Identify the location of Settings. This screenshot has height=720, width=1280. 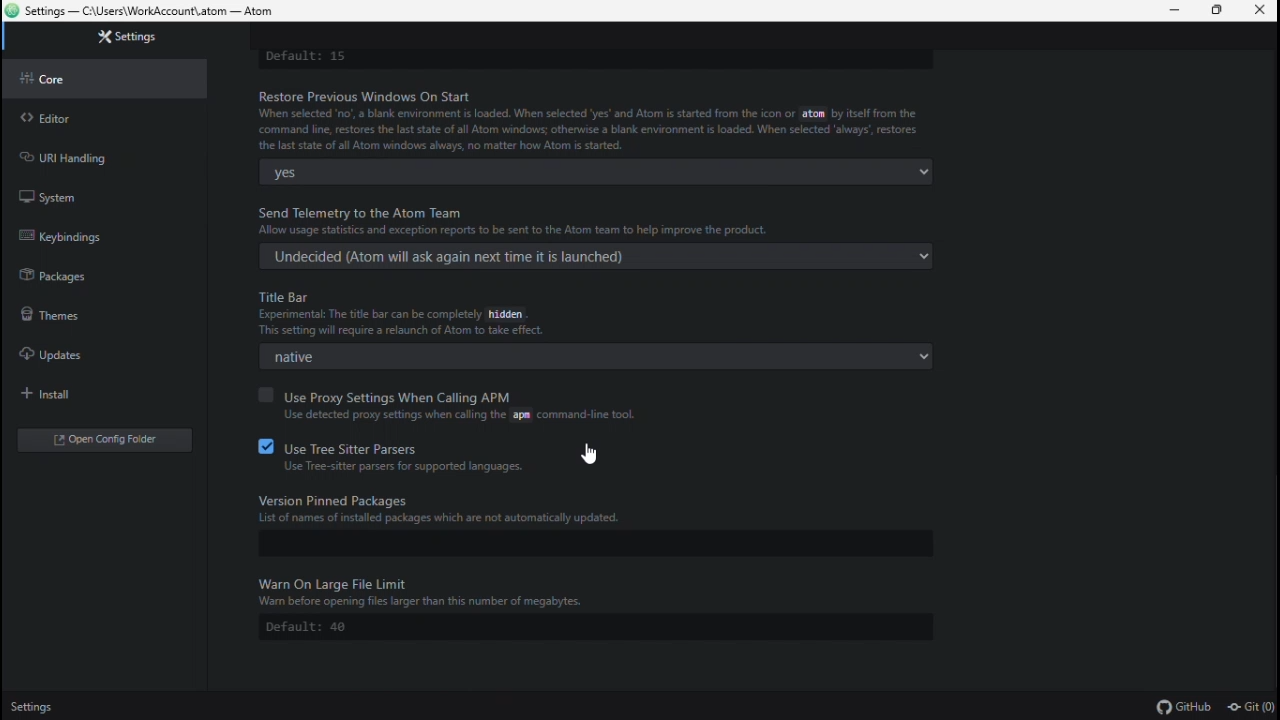
(117, 38).